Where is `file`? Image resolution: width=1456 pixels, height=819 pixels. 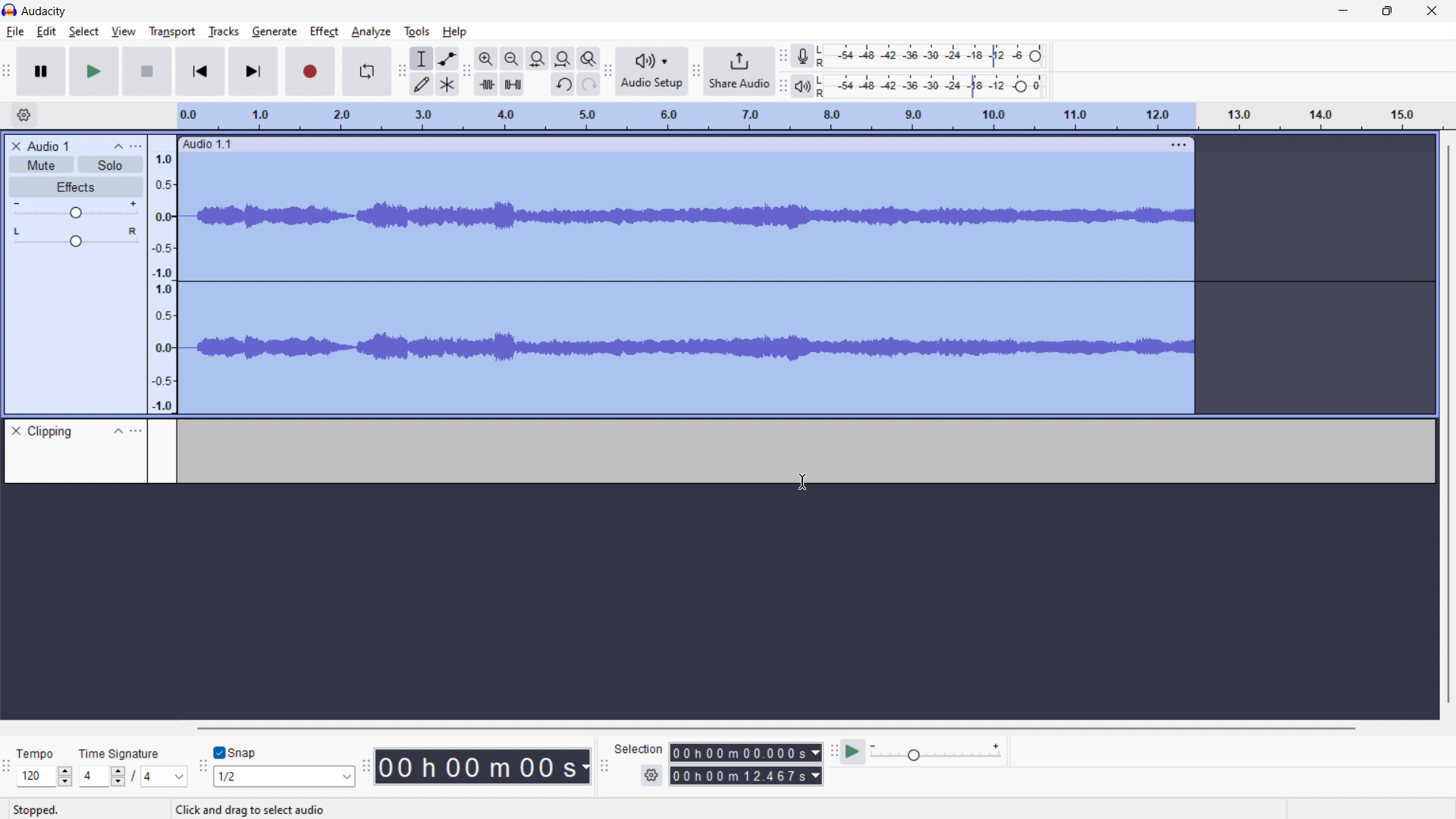 file is located at coordinates (16, 32).